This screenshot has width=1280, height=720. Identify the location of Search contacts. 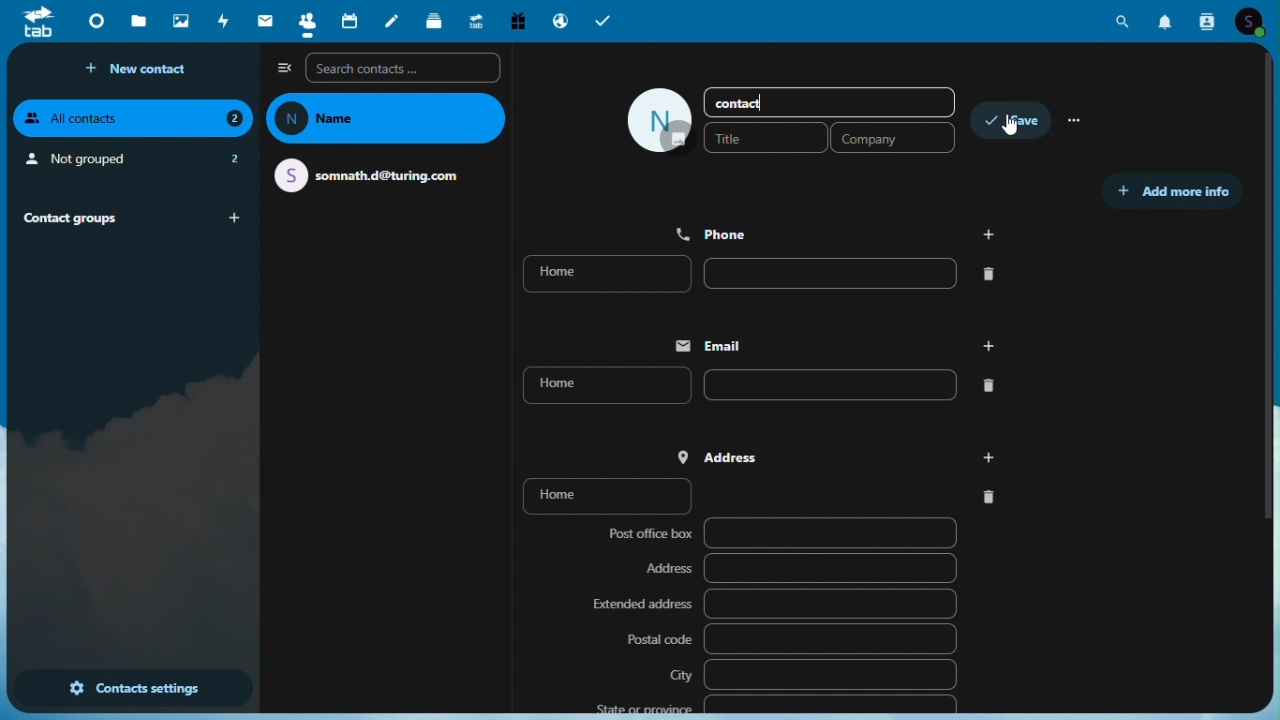
(404, 68).